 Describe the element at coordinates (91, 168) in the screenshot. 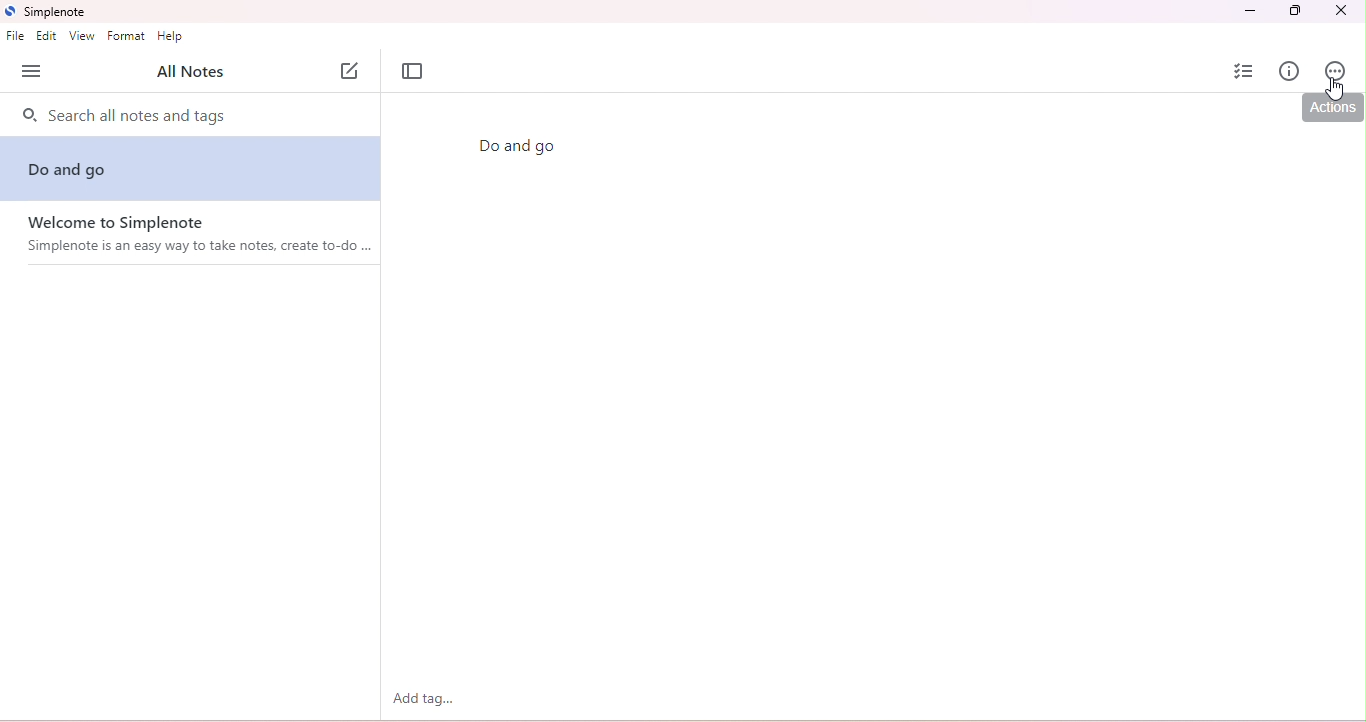

I see `do and go note` at that location.